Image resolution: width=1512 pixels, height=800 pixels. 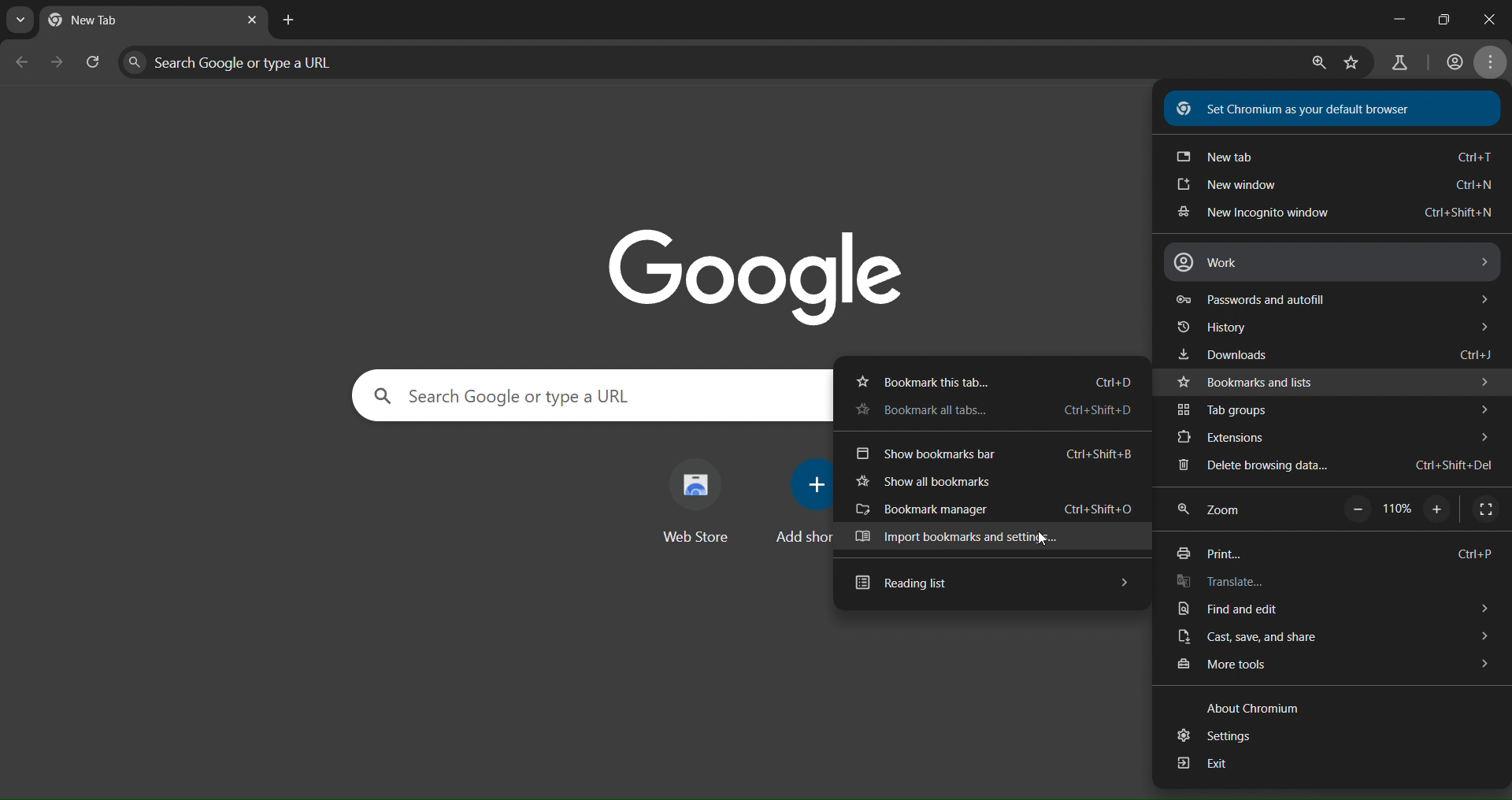 What do you see at coordinates (991, 583) in the screenshot?
I see `reading list` at bounding box center [991, 583].